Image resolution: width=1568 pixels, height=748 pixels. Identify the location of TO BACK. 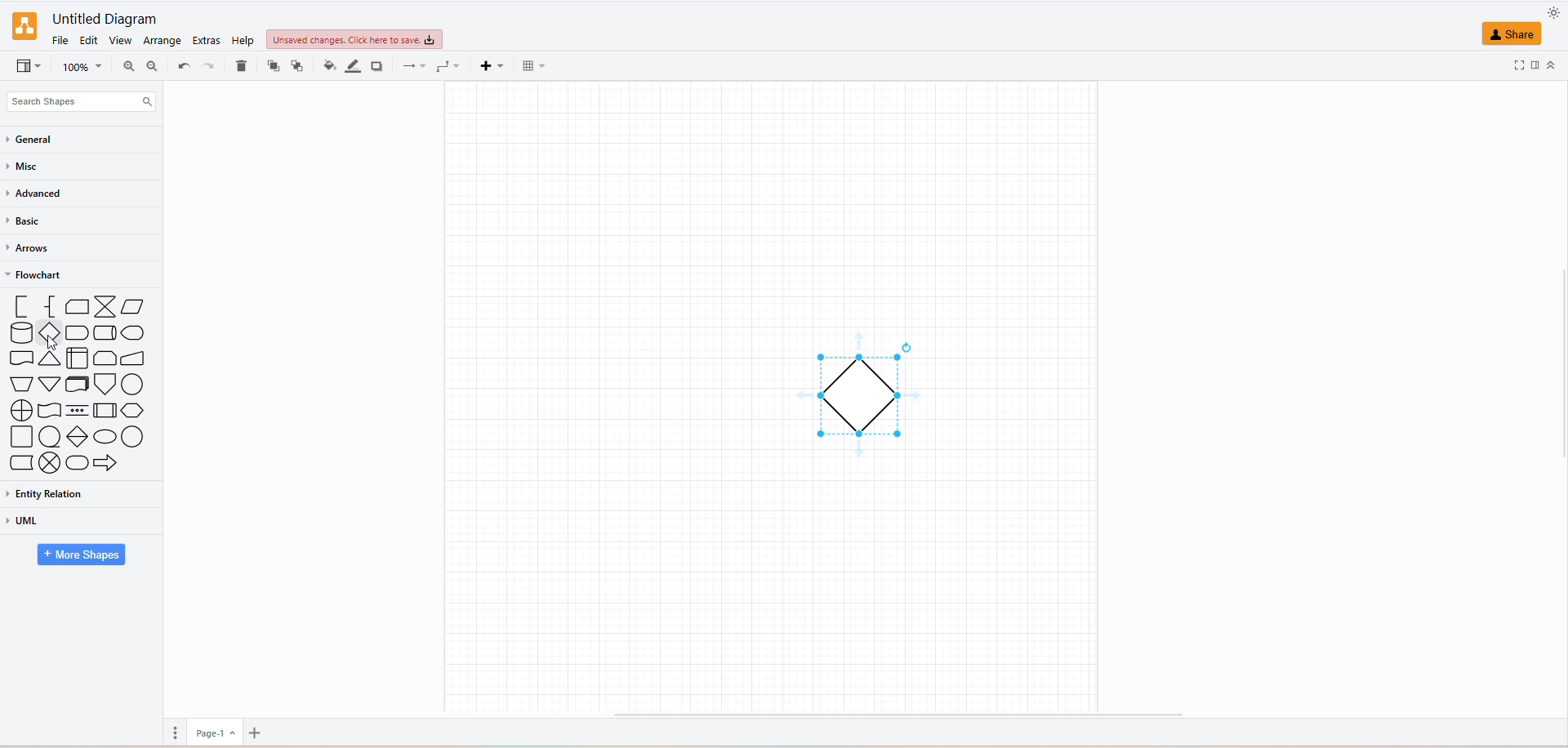
(296, 66).